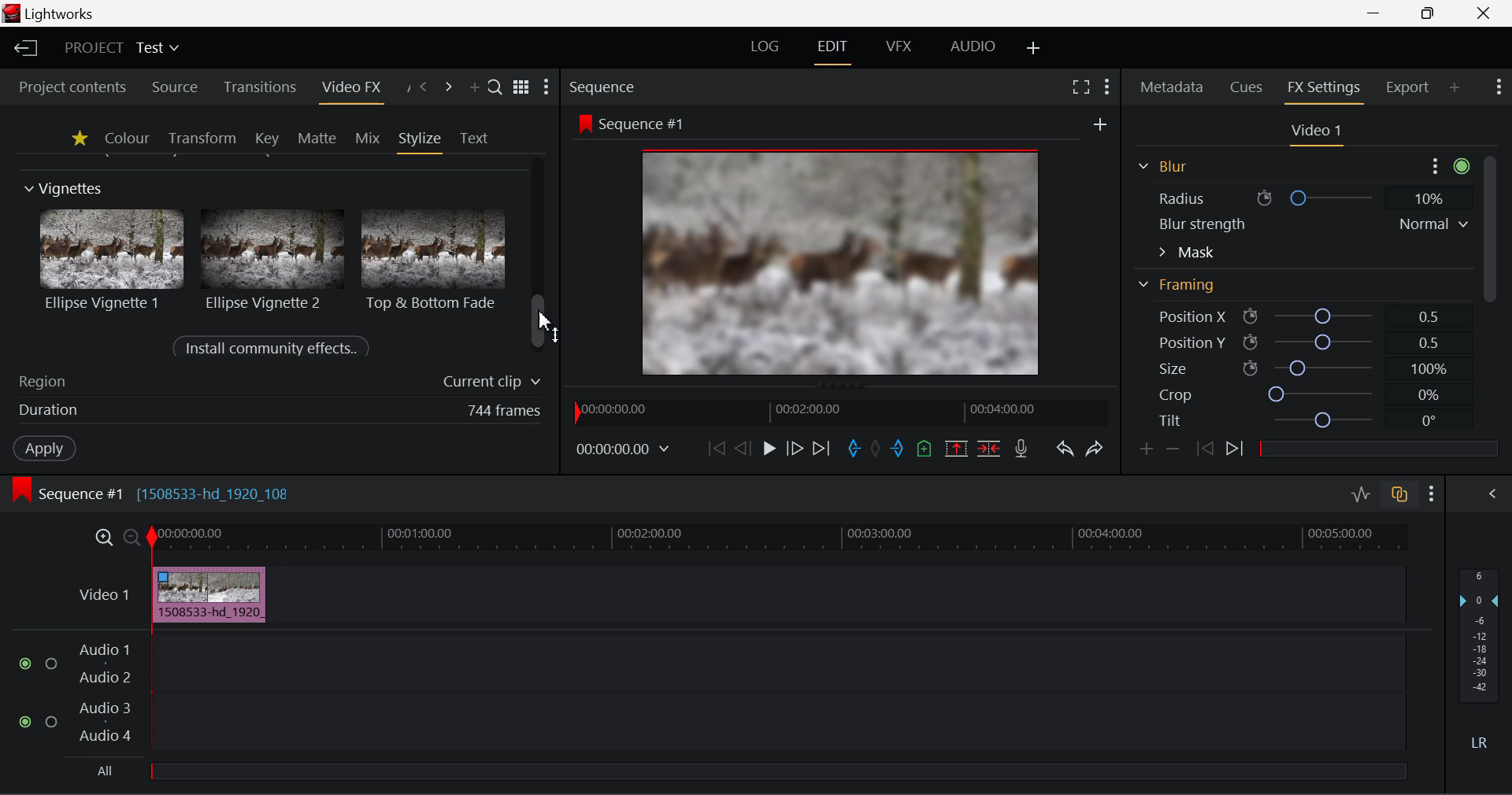  I want to click on Matte, so click(317, 138).